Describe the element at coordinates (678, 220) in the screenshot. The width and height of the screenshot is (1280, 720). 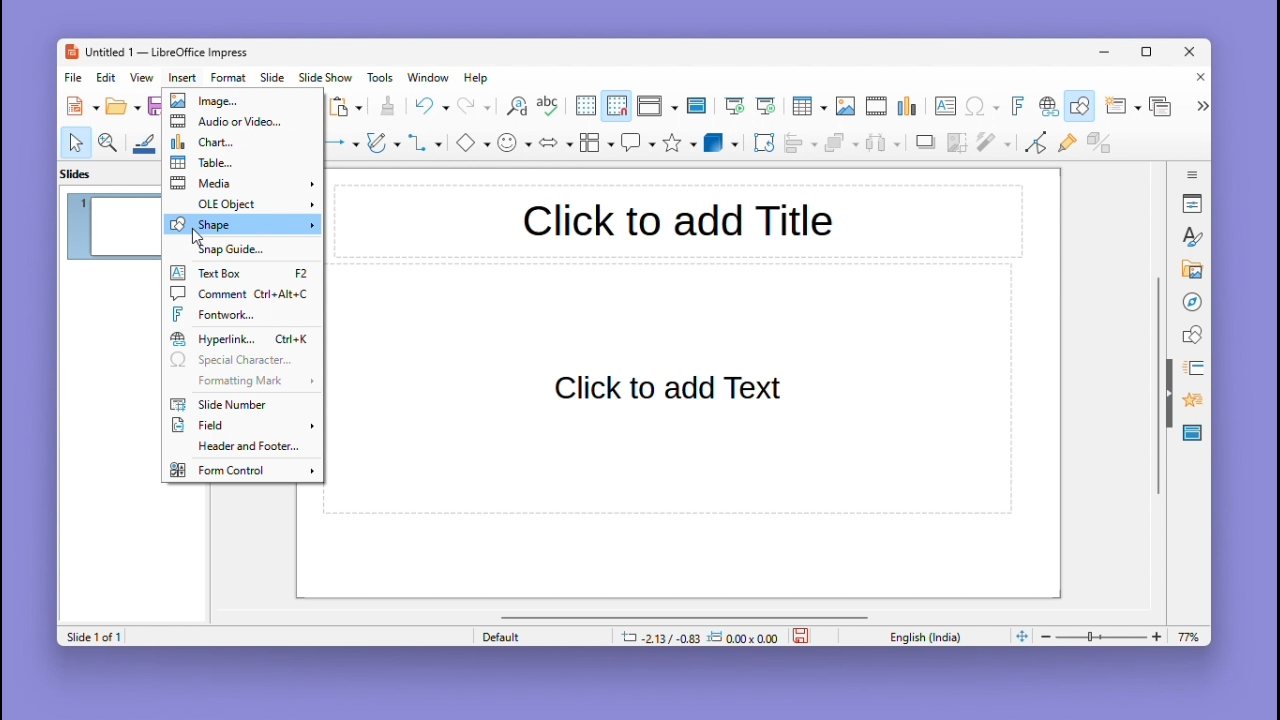
I see `Title` at that location.